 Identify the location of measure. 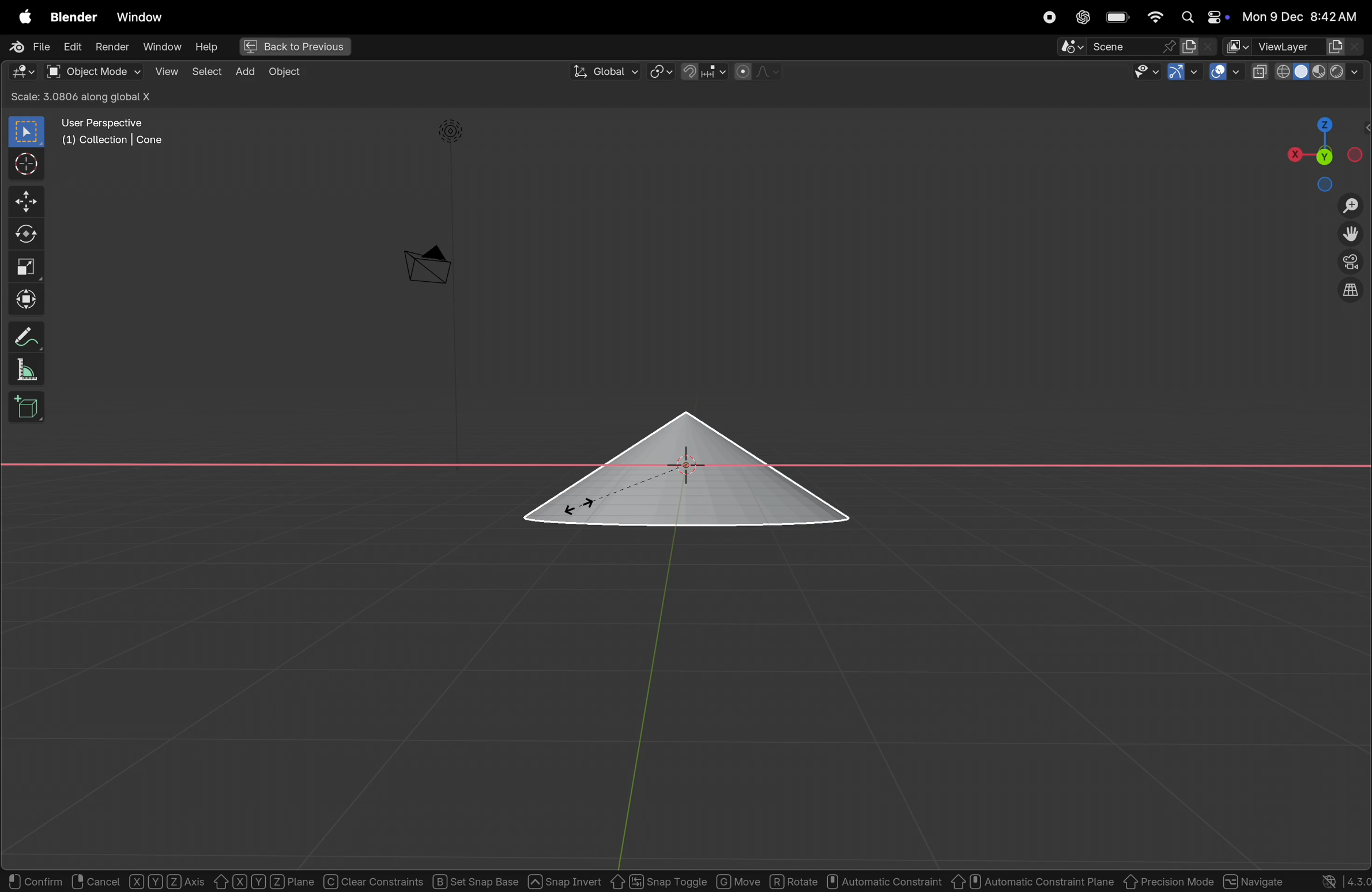
(22, 368).